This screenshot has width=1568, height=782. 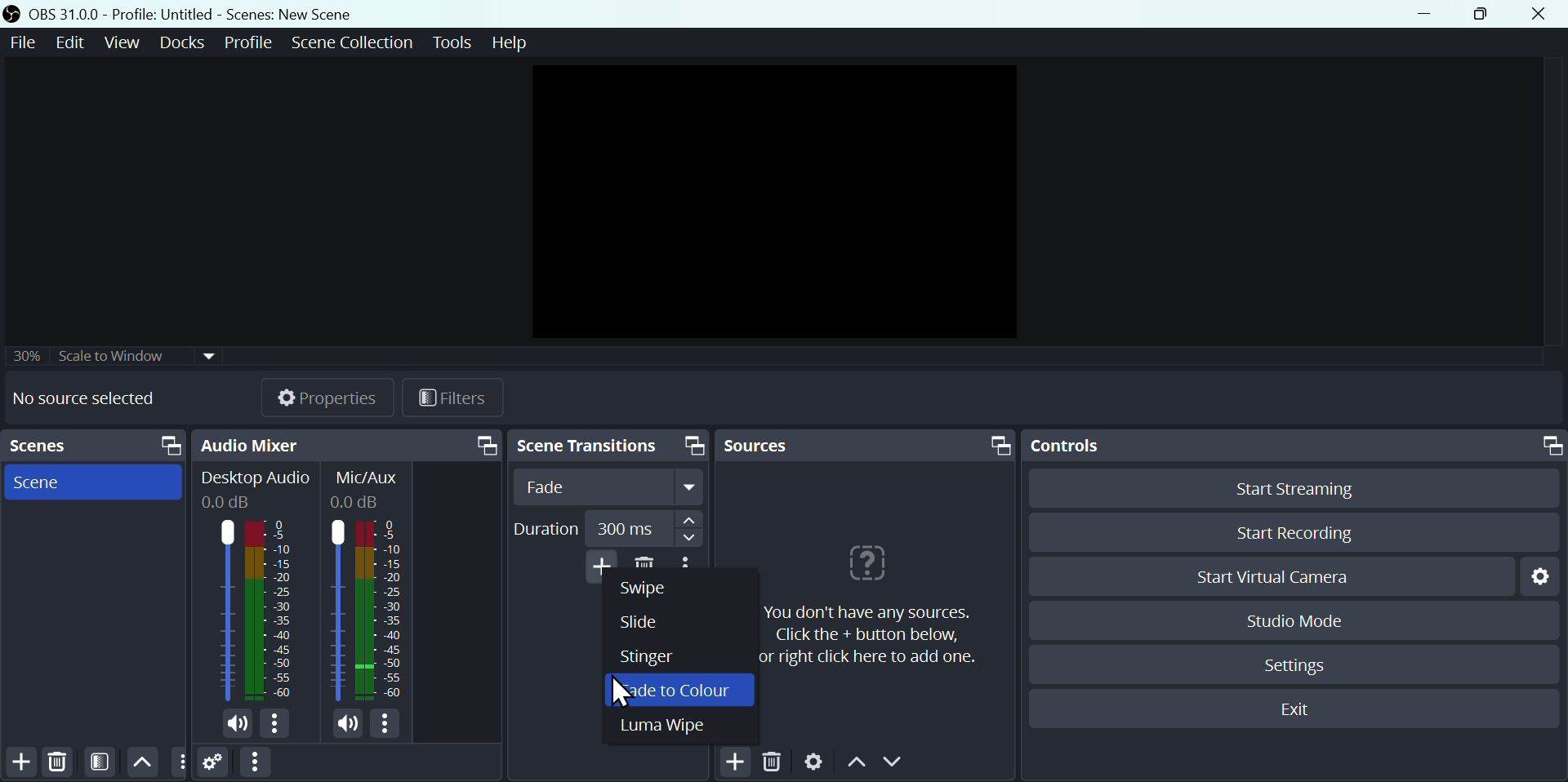 What do you see at coordinates (465, 400) in the screenshot?
I see `Filters` at bounding box center [465, 400].